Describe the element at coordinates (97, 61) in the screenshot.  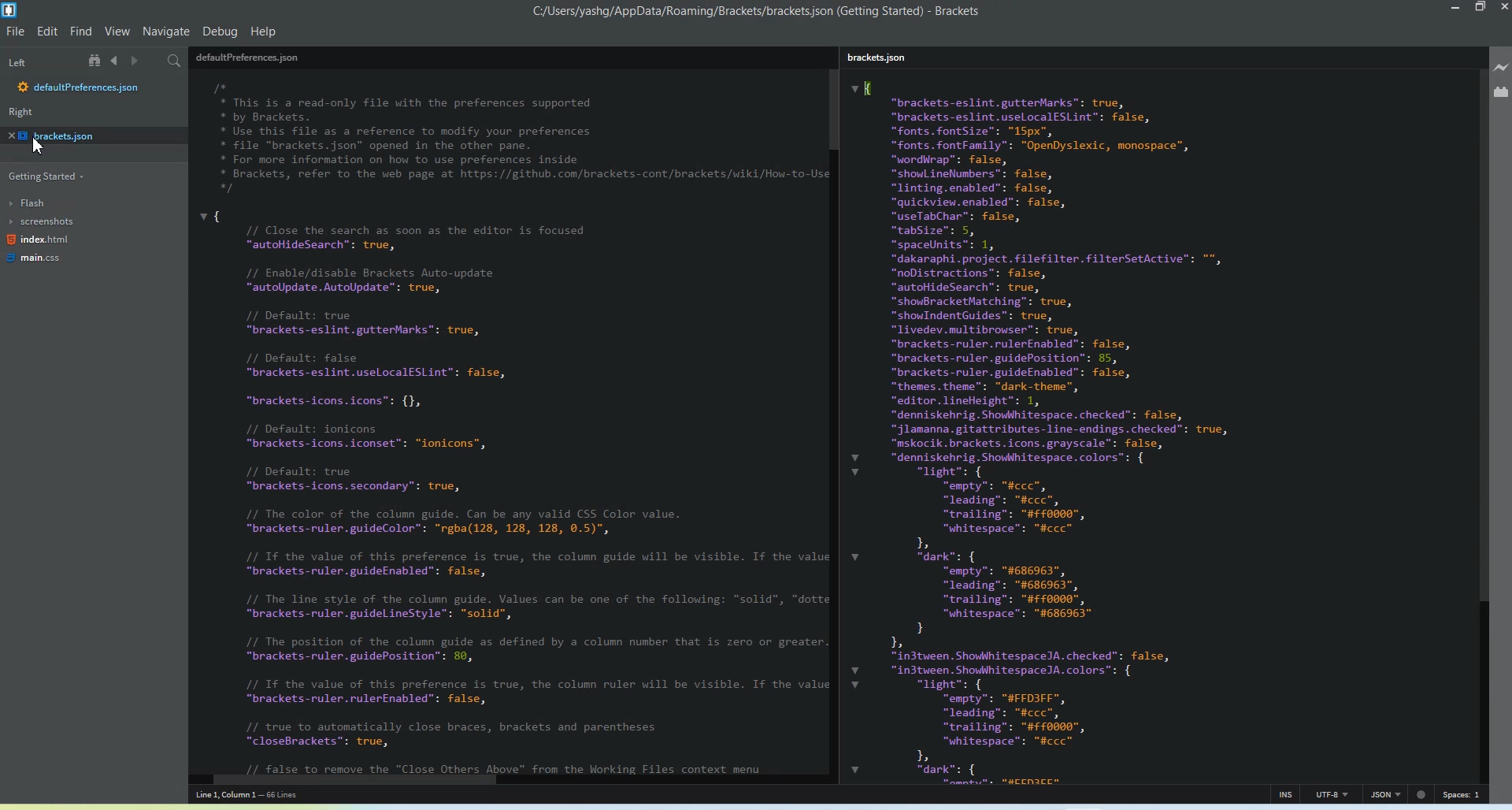
I see `Show in file tree` at that location.